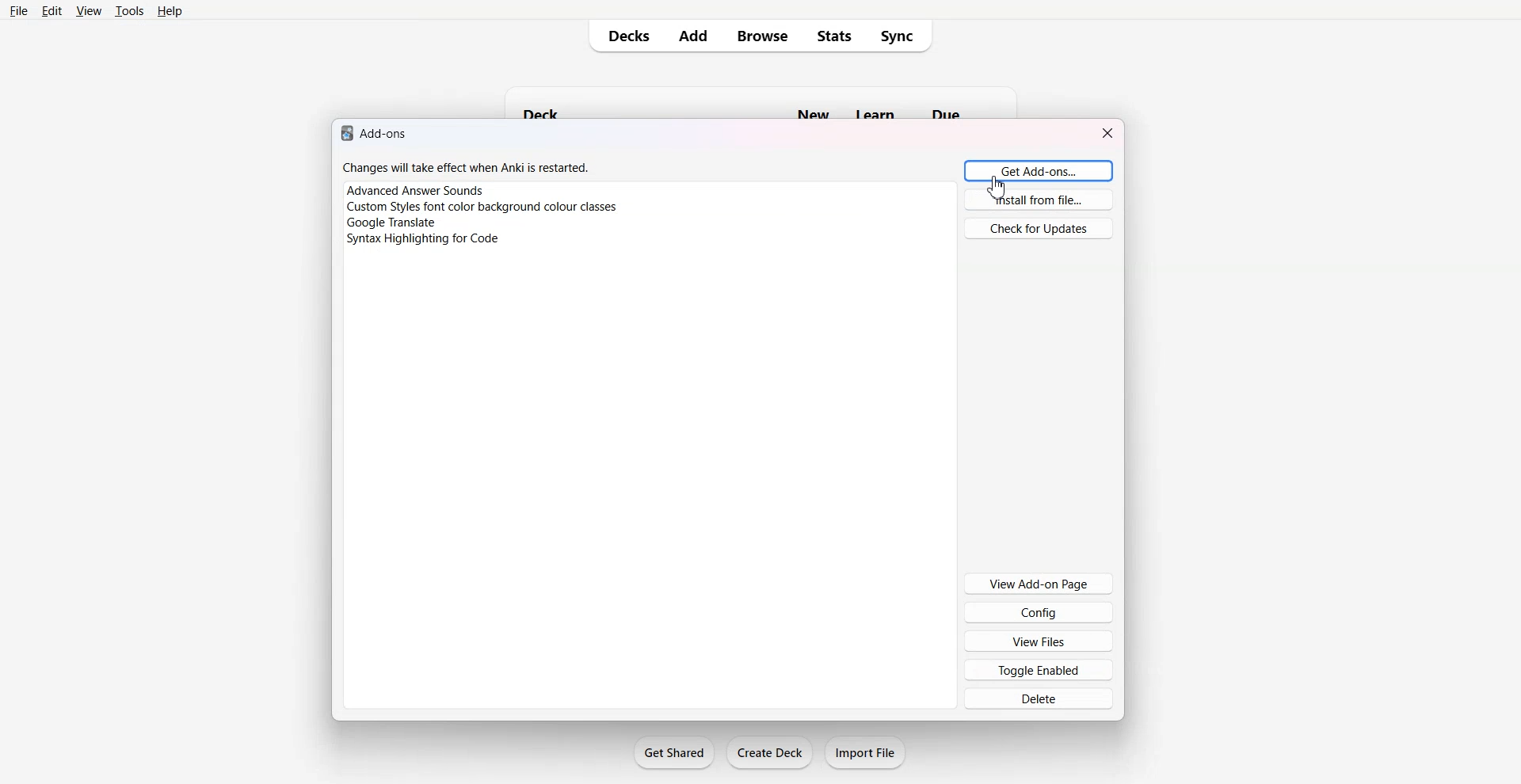  What do you see at coordinates (674, 752) in the screenshot?
I see `Get Shared` at bounding box center [674, 752].